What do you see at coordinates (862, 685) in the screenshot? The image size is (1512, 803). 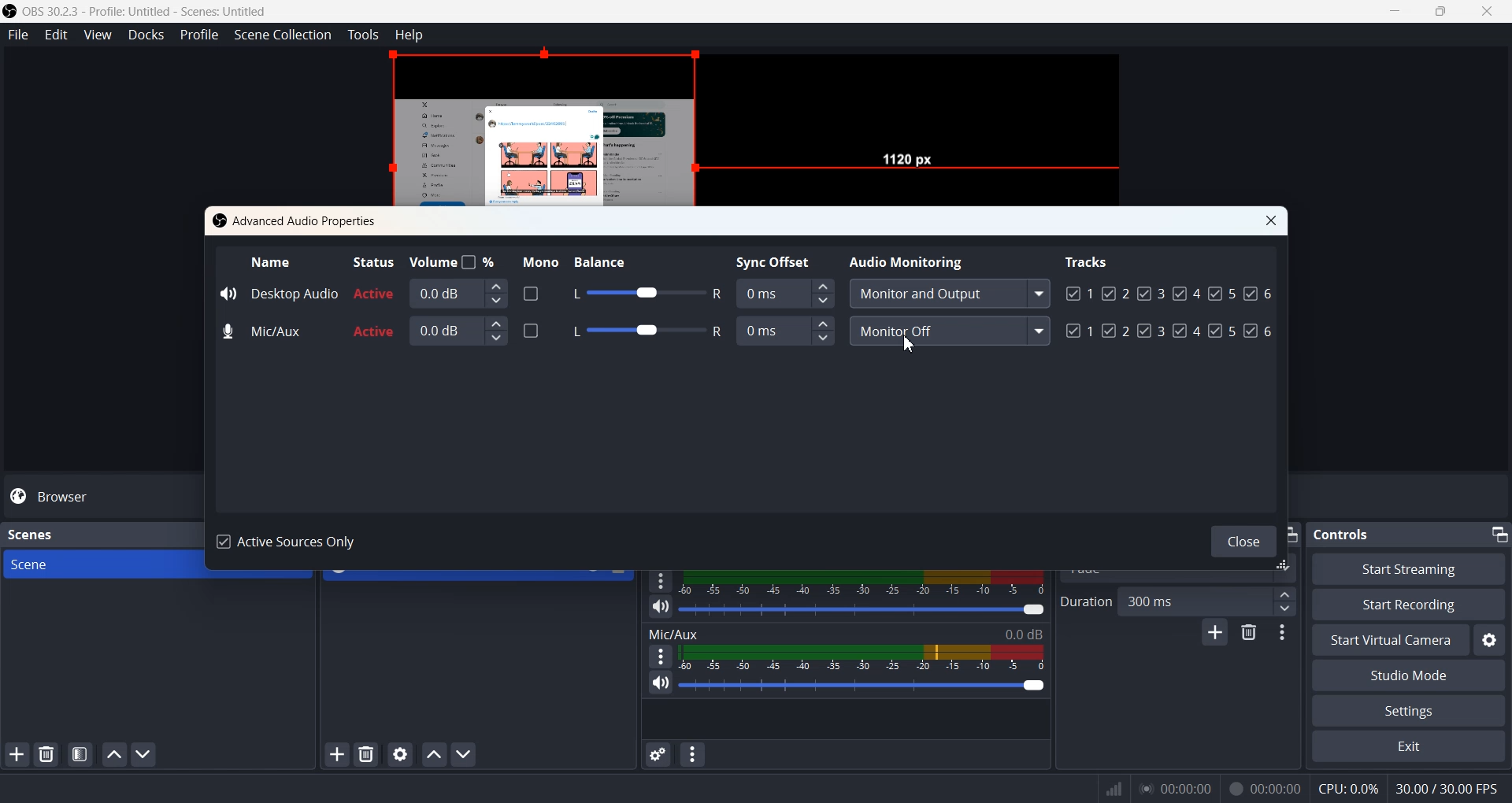 I see `Volume Adjuster` at bounding box center [862, 685].